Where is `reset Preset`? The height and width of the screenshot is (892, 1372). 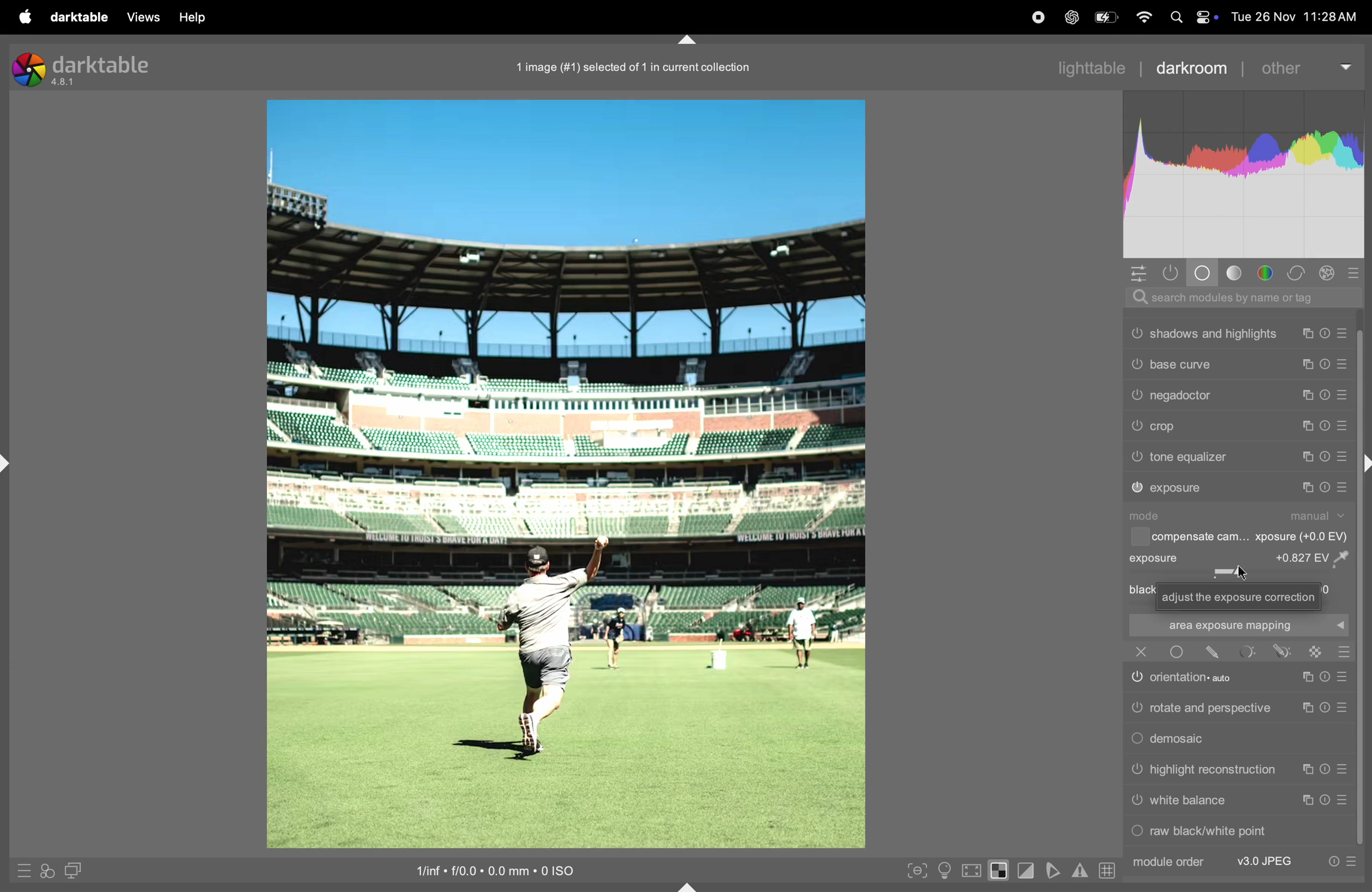 reset Preset is located at coordinates (1326, 800).